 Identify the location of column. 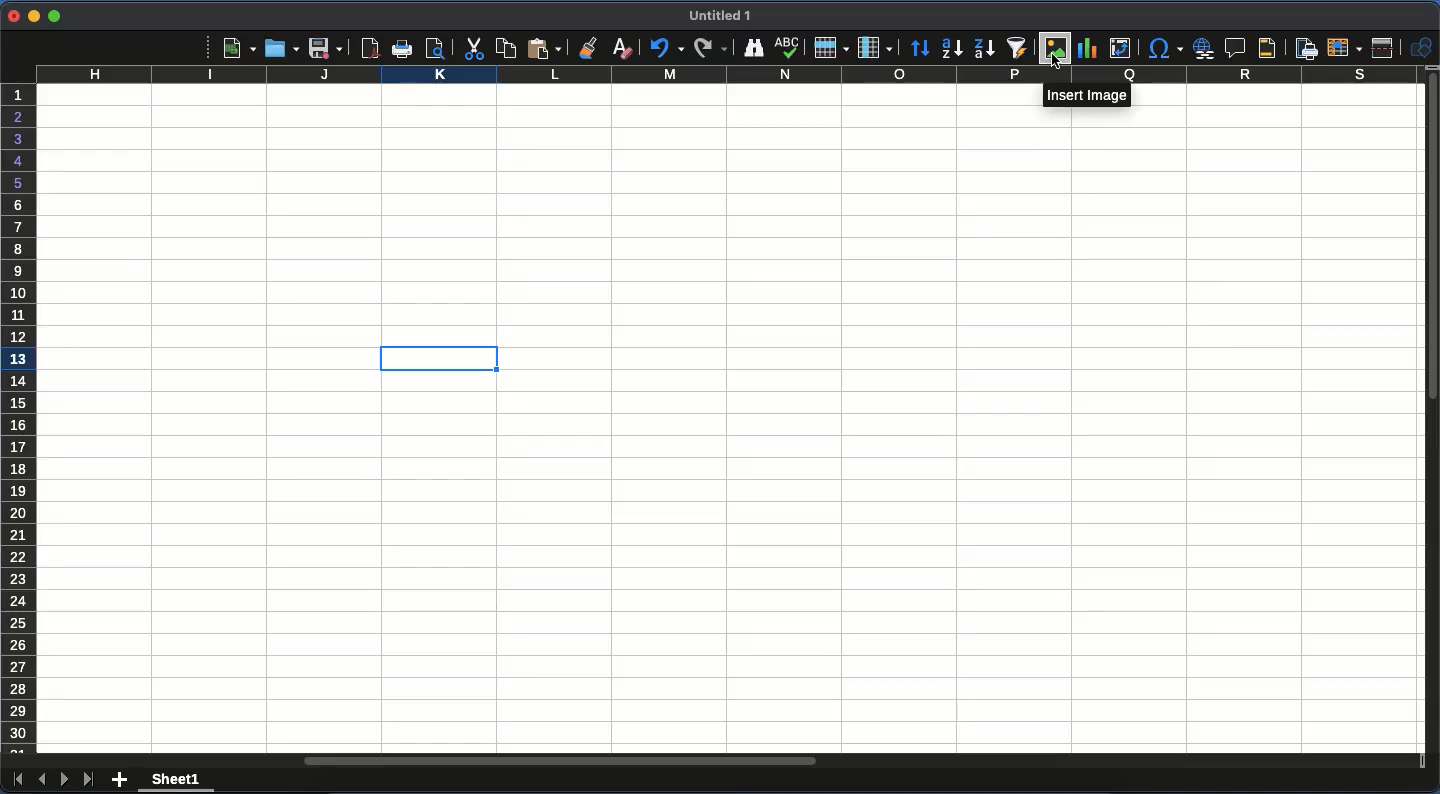
(725, 76).